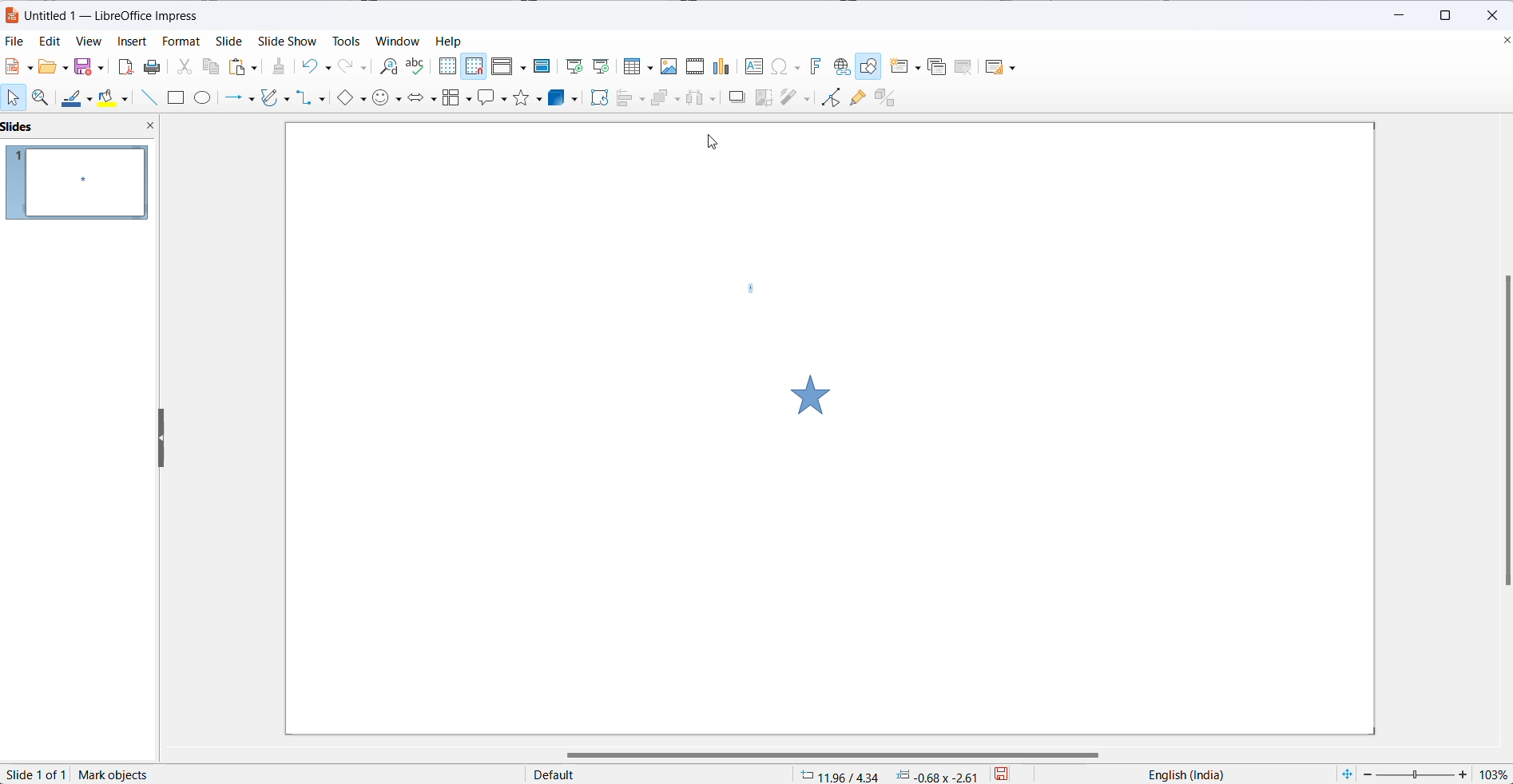 The height and width of the screenshot is (784, 1513). I want to click on edit, so click(46, 42).